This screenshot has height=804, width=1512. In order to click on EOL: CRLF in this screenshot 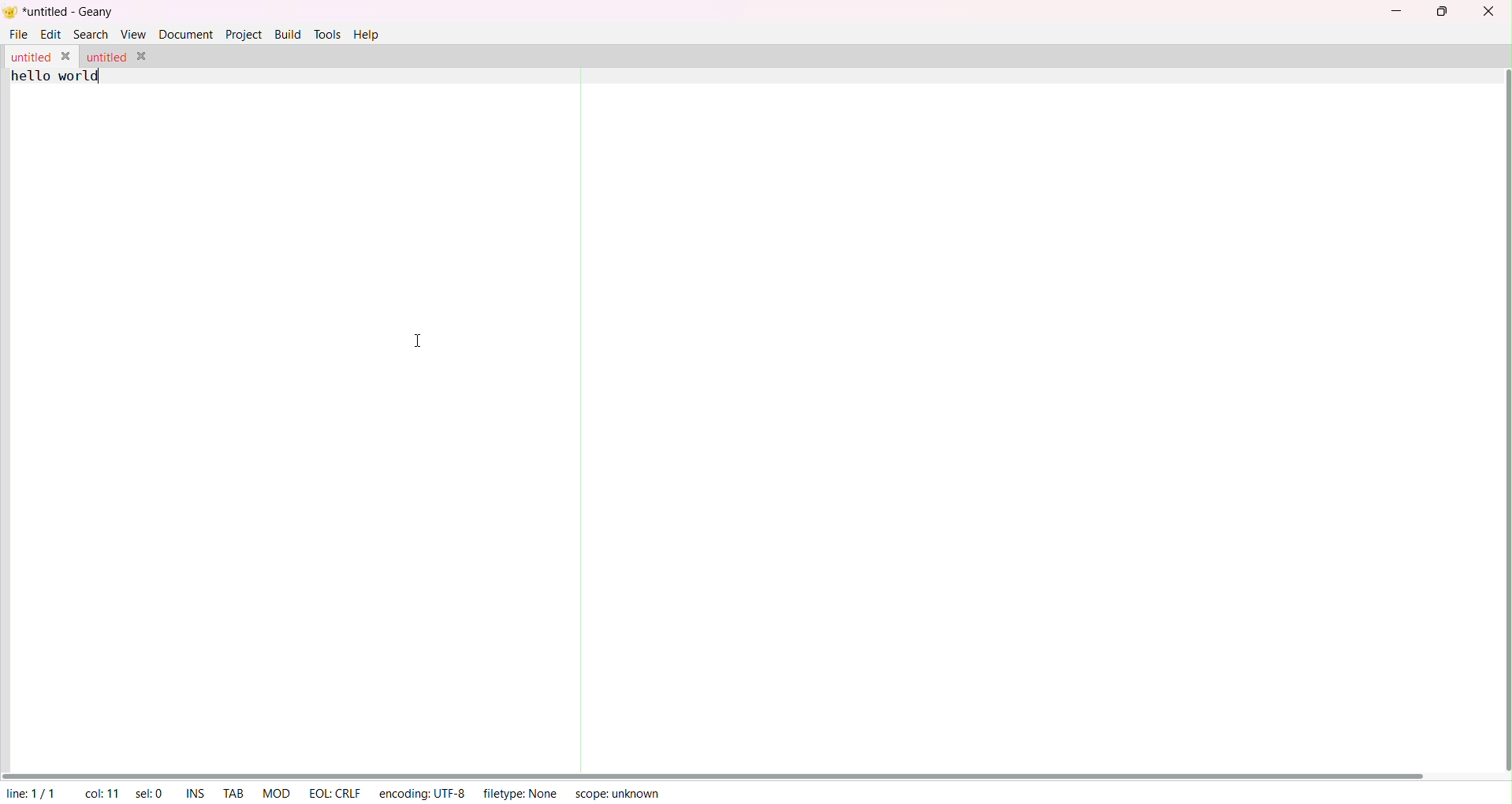, I will do `click(334, 793)`.